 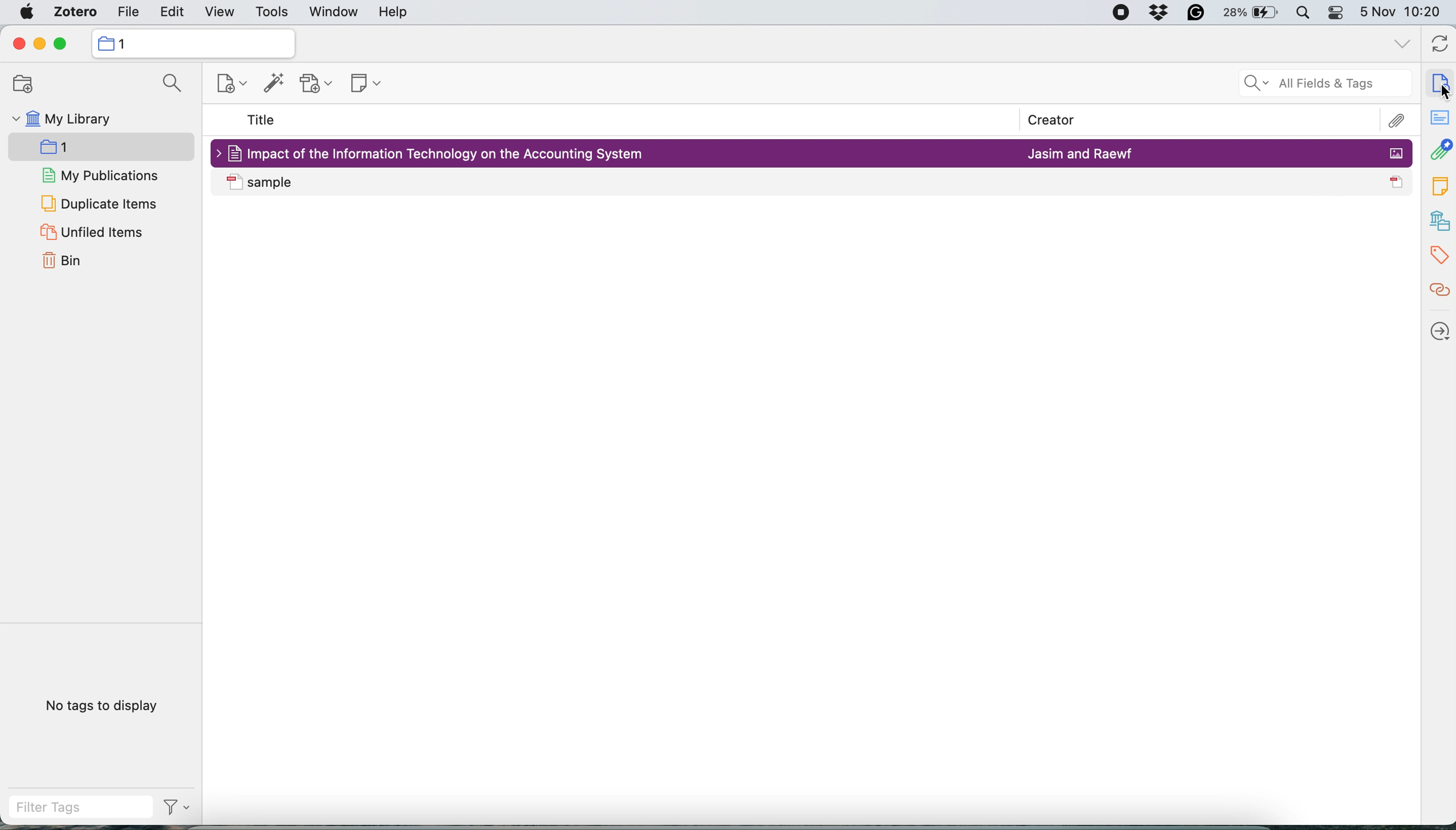 I want to click on attachment, so click(x=1396, y=121).